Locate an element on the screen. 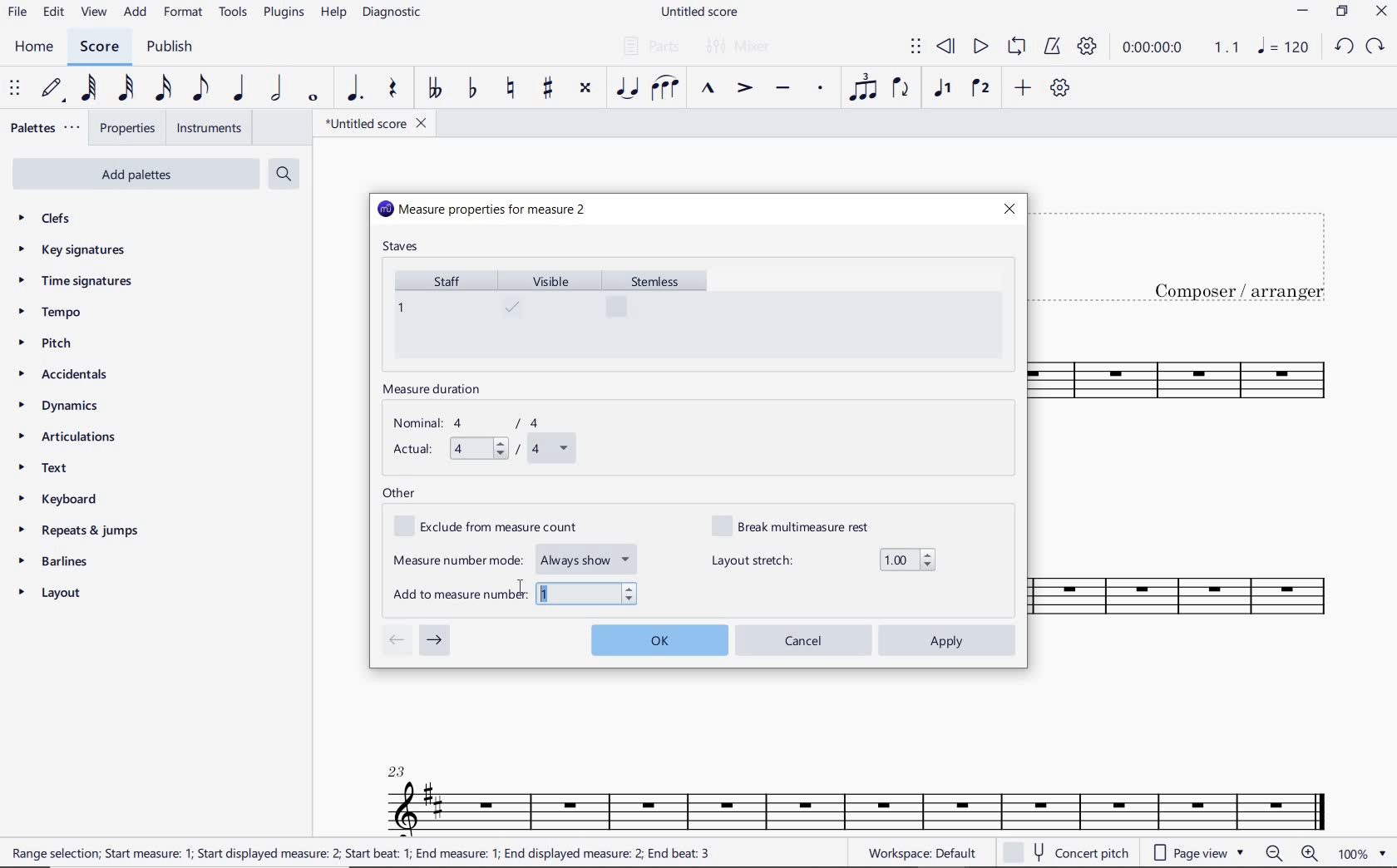  METRONOME is located at coordinates (1052, 47).